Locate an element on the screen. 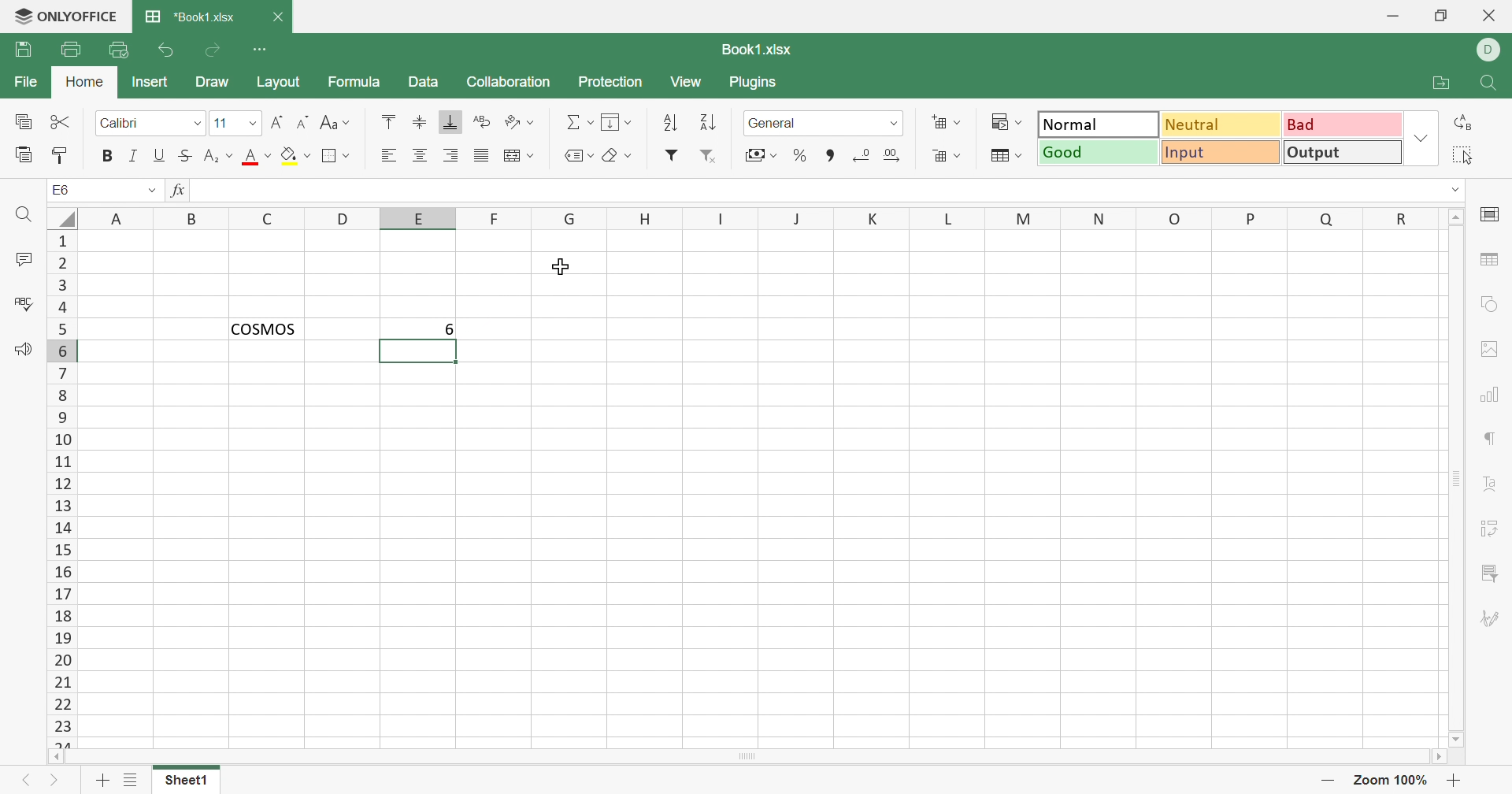  Filter is located at coordinates (671, 155).